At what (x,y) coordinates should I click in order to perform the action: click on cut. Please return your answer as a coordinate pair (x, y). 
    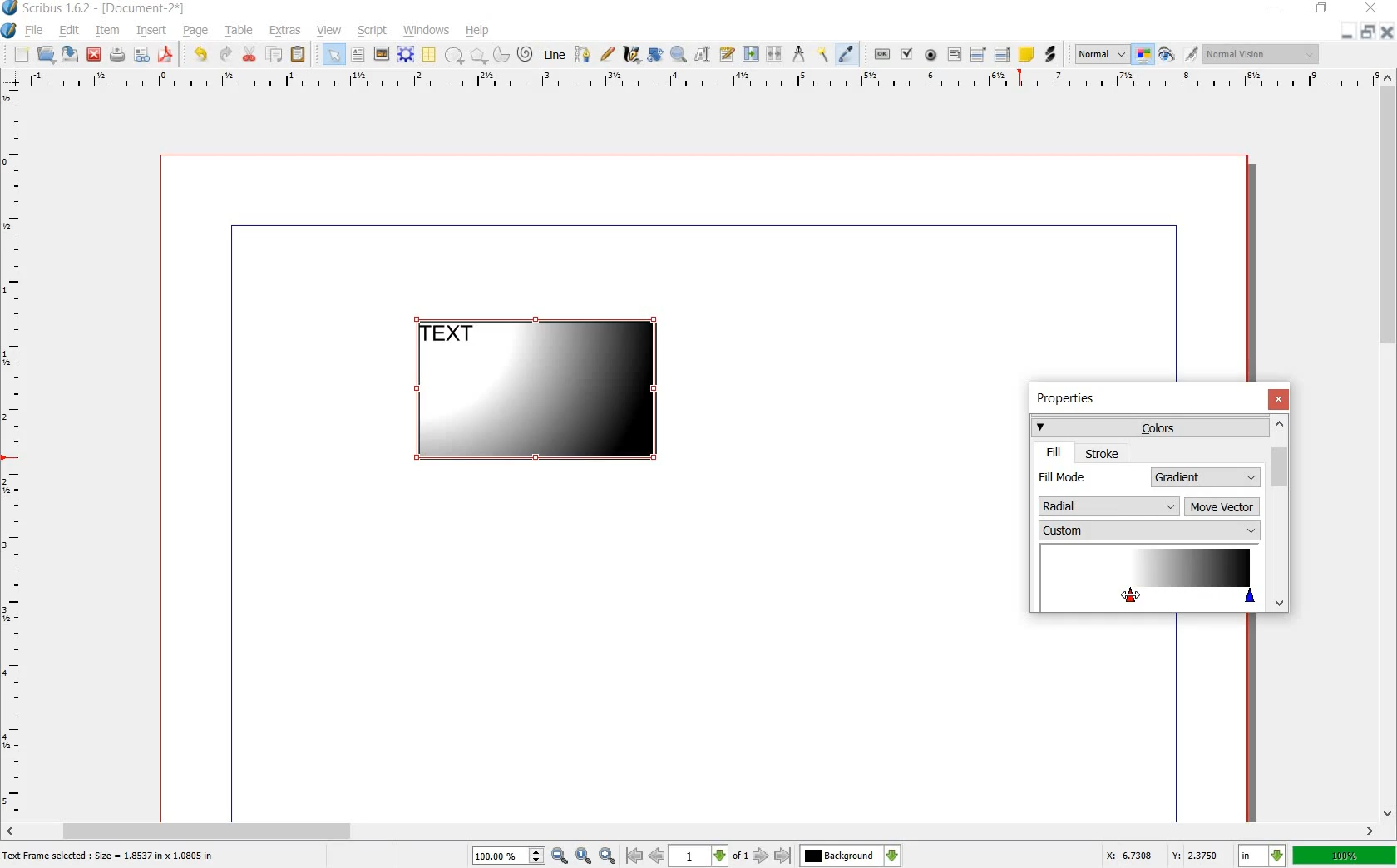
    Looking at the image, I should click on (250, 55).